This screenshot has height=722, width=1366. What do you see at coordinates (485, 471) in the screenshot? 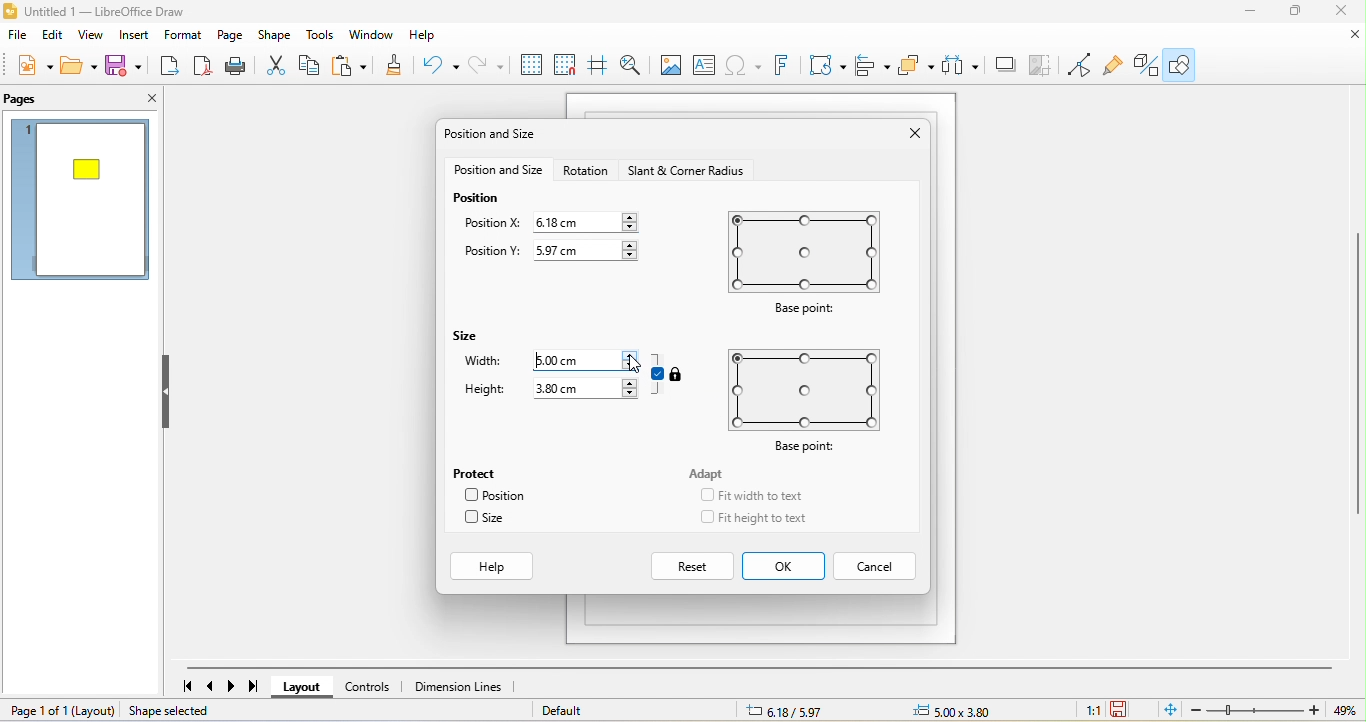
I see `protect` at bounding box center [485, 471].